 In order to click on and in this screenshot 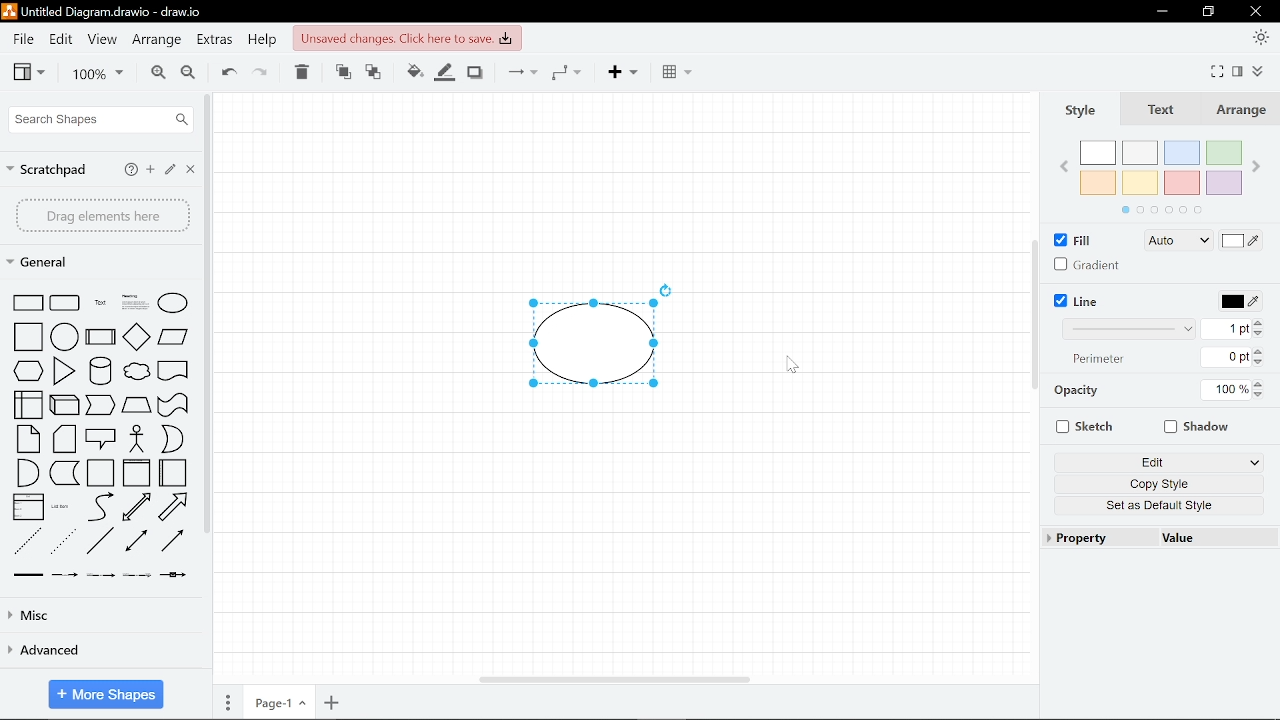, I will do `click(27, 474)`.